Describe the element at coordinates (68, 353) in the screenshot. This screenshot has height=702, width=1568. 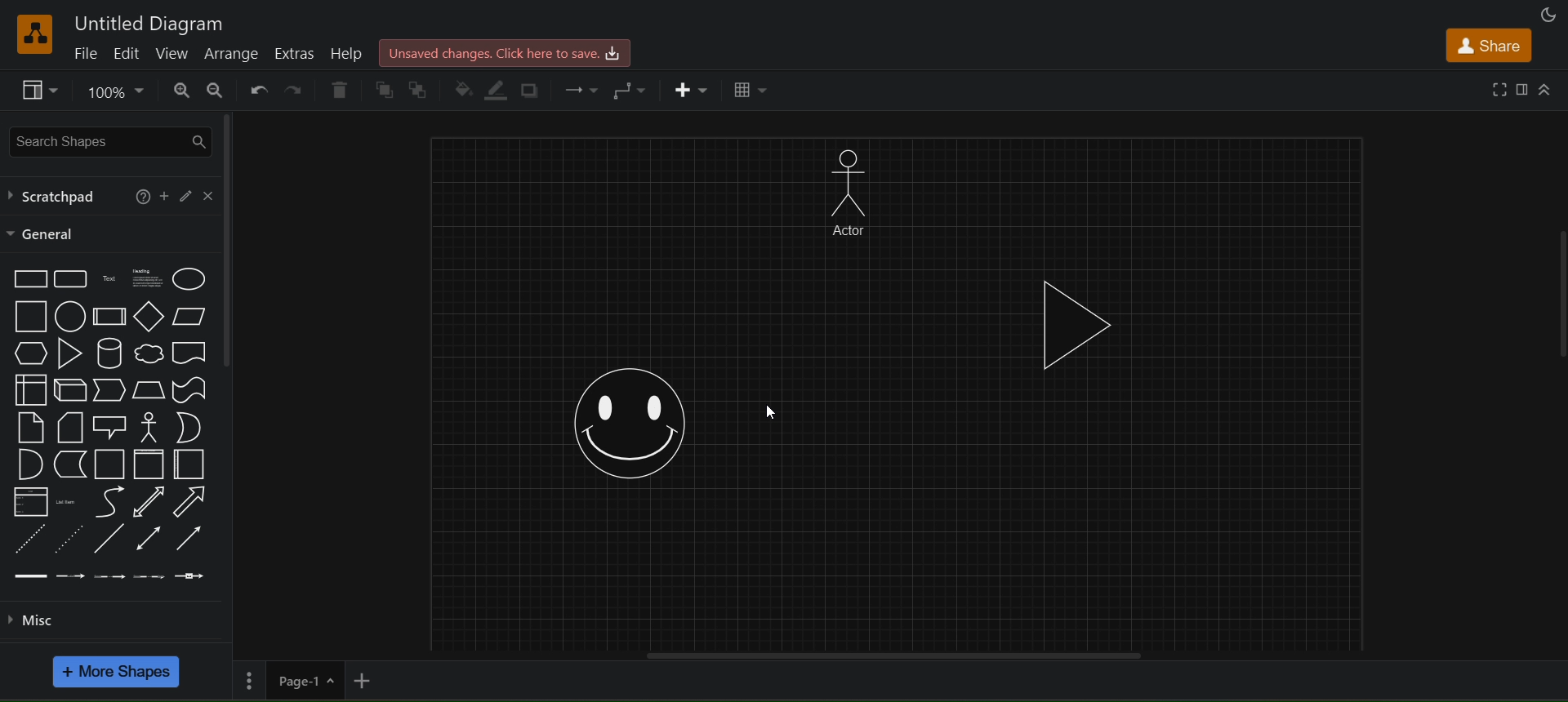
I see `triangle` at that location.